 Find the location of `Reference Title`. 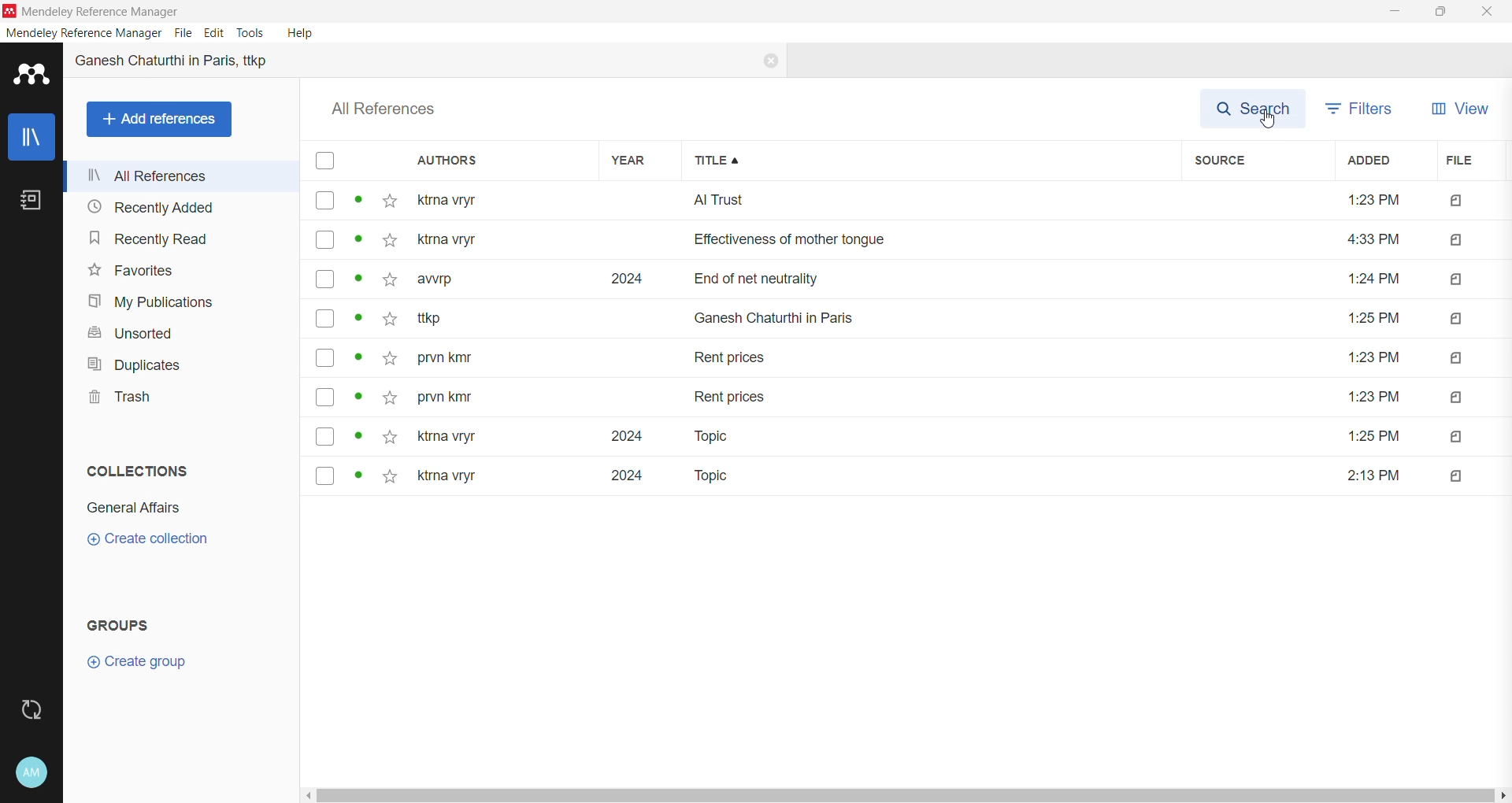

Reference Title is located at coordinates (178, 62).